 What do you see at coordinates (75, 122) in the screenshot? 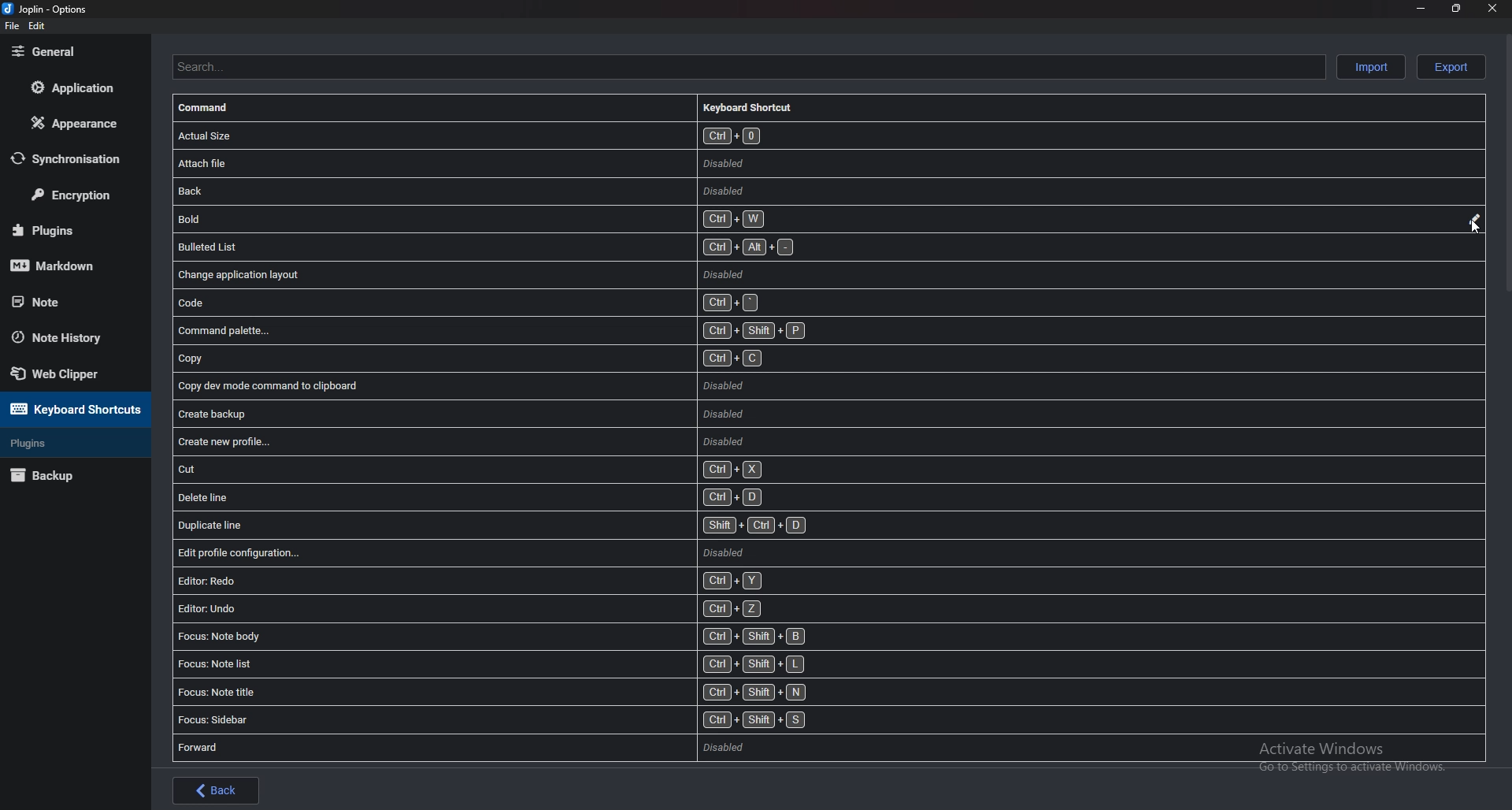
I see `Appearance` at bounding box center [75, 122].